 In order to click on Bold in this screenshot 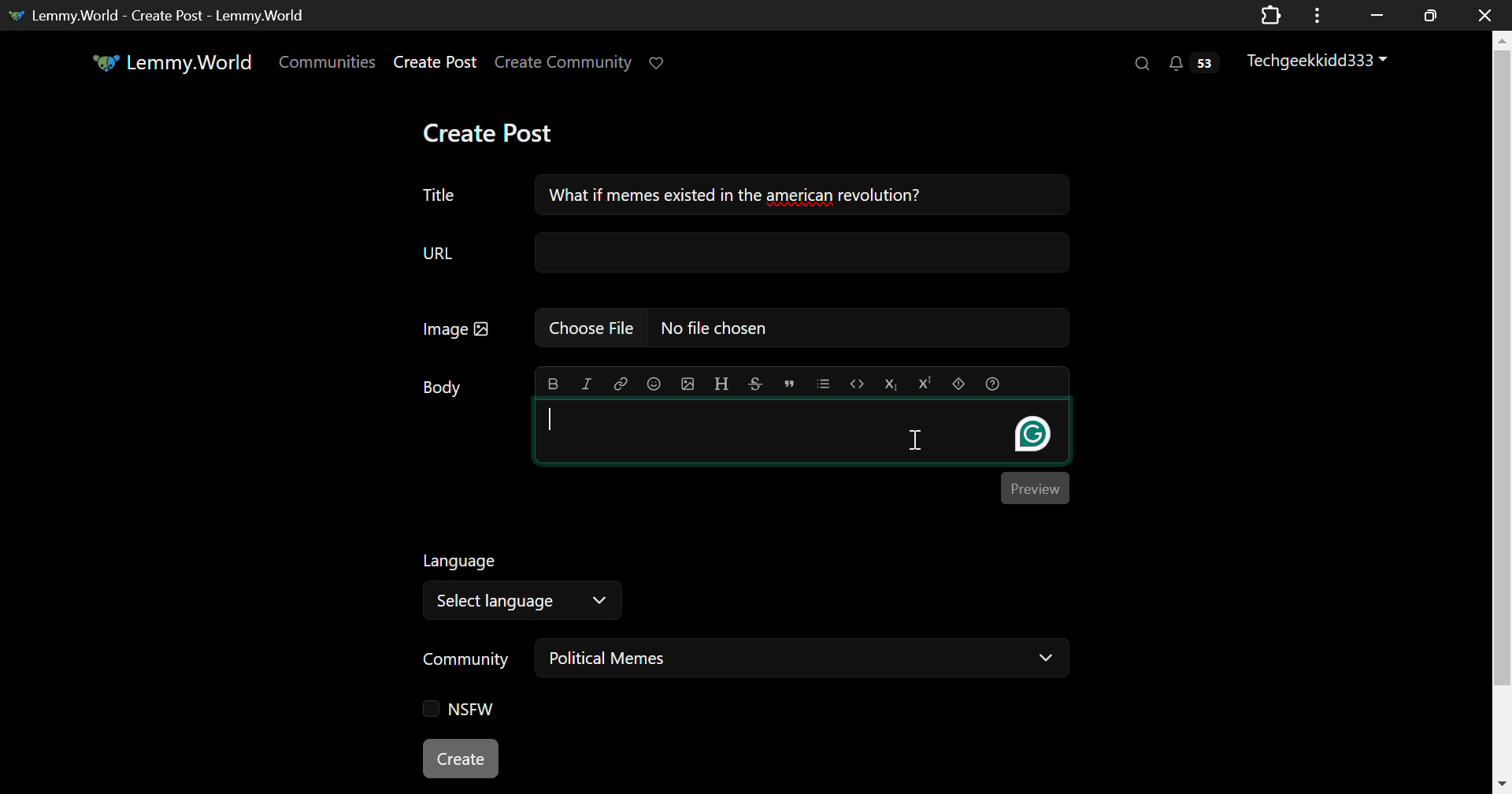, I will do `click(551, 383)`.